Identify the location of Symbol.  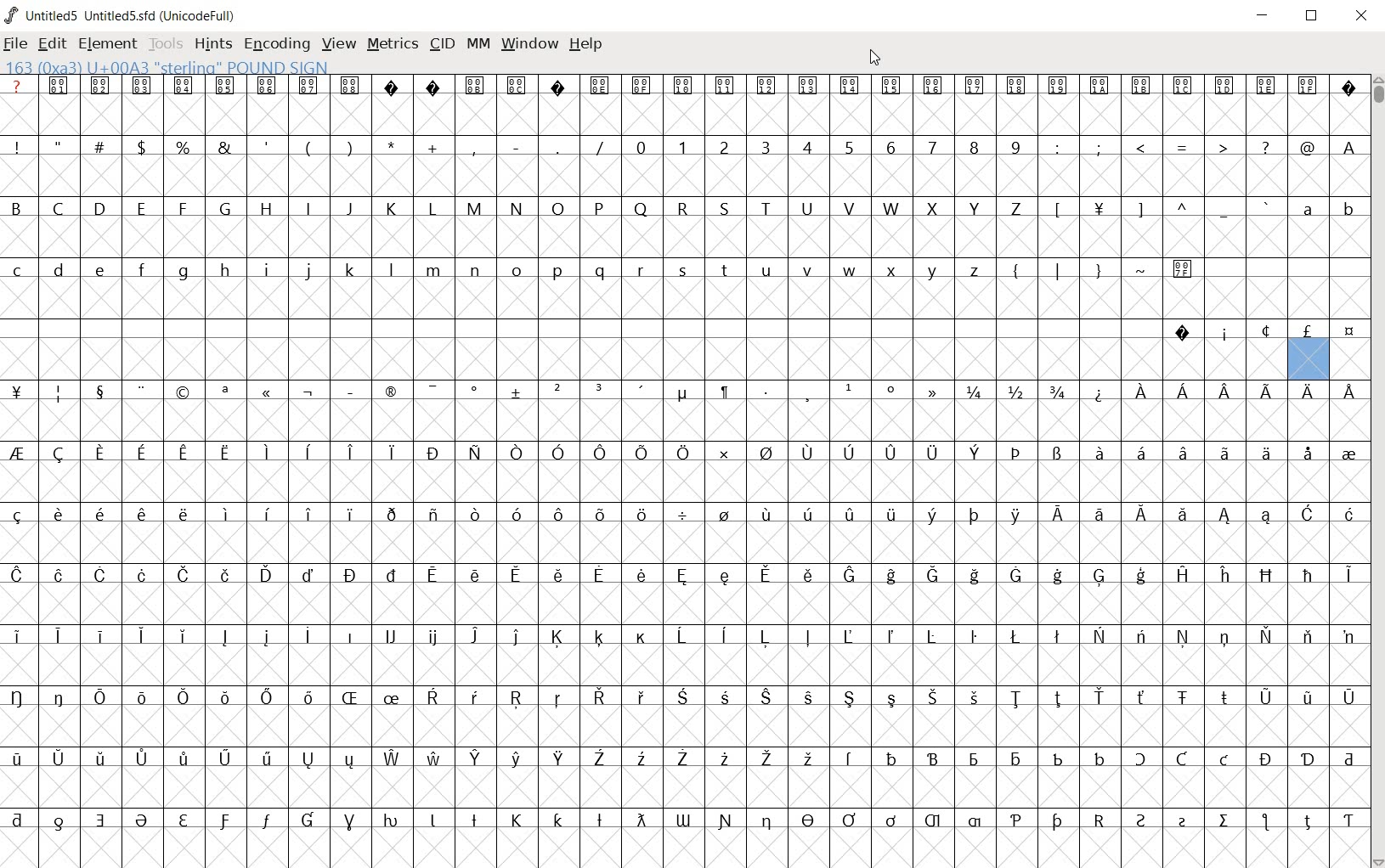
(56, 516).